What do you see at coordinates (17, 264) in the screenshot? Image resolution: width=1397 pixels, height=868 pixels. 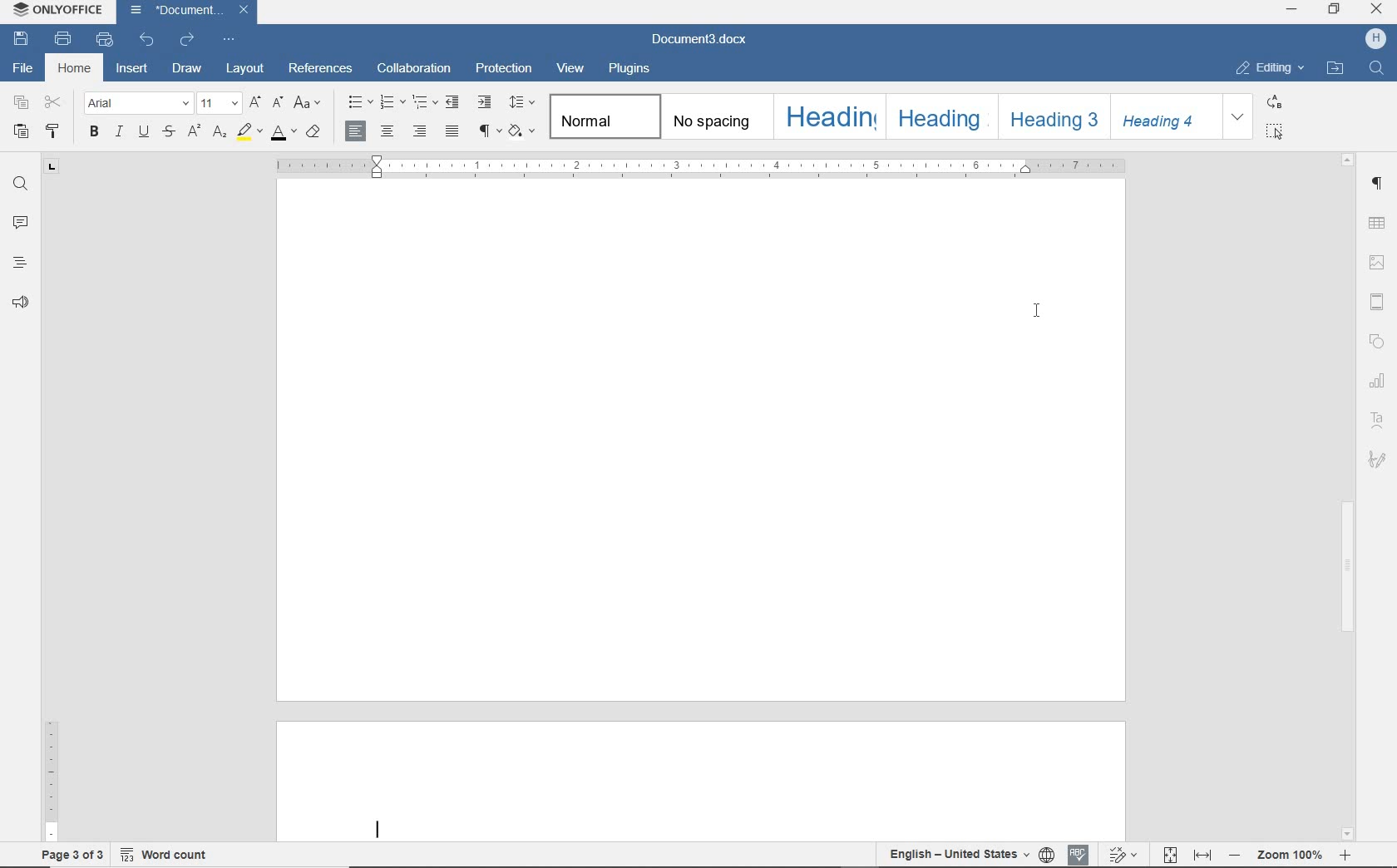 I see `HEADINGS` at bounding box center [17, 264].